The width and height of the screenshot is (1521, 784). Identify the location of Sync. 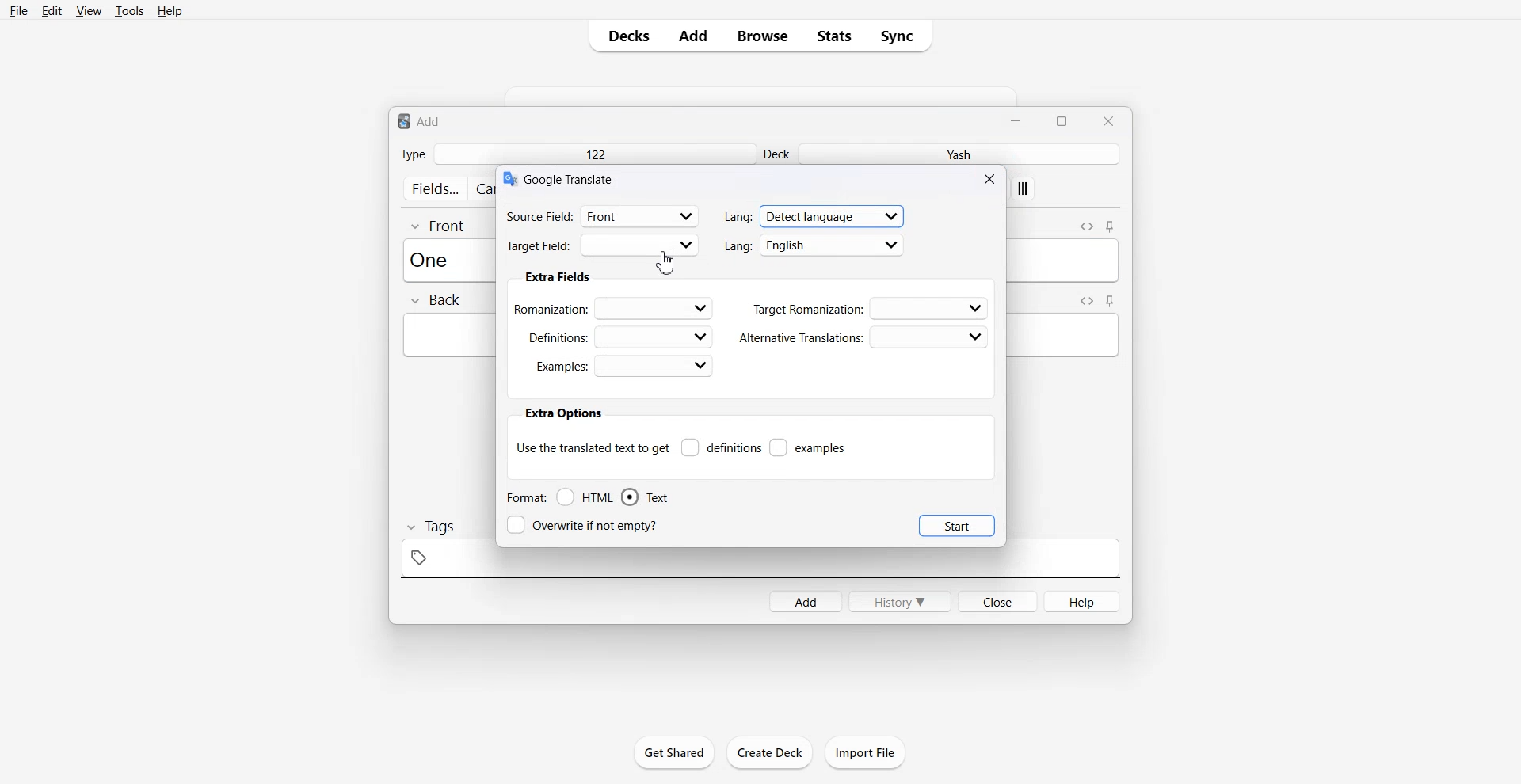
(902, 36).